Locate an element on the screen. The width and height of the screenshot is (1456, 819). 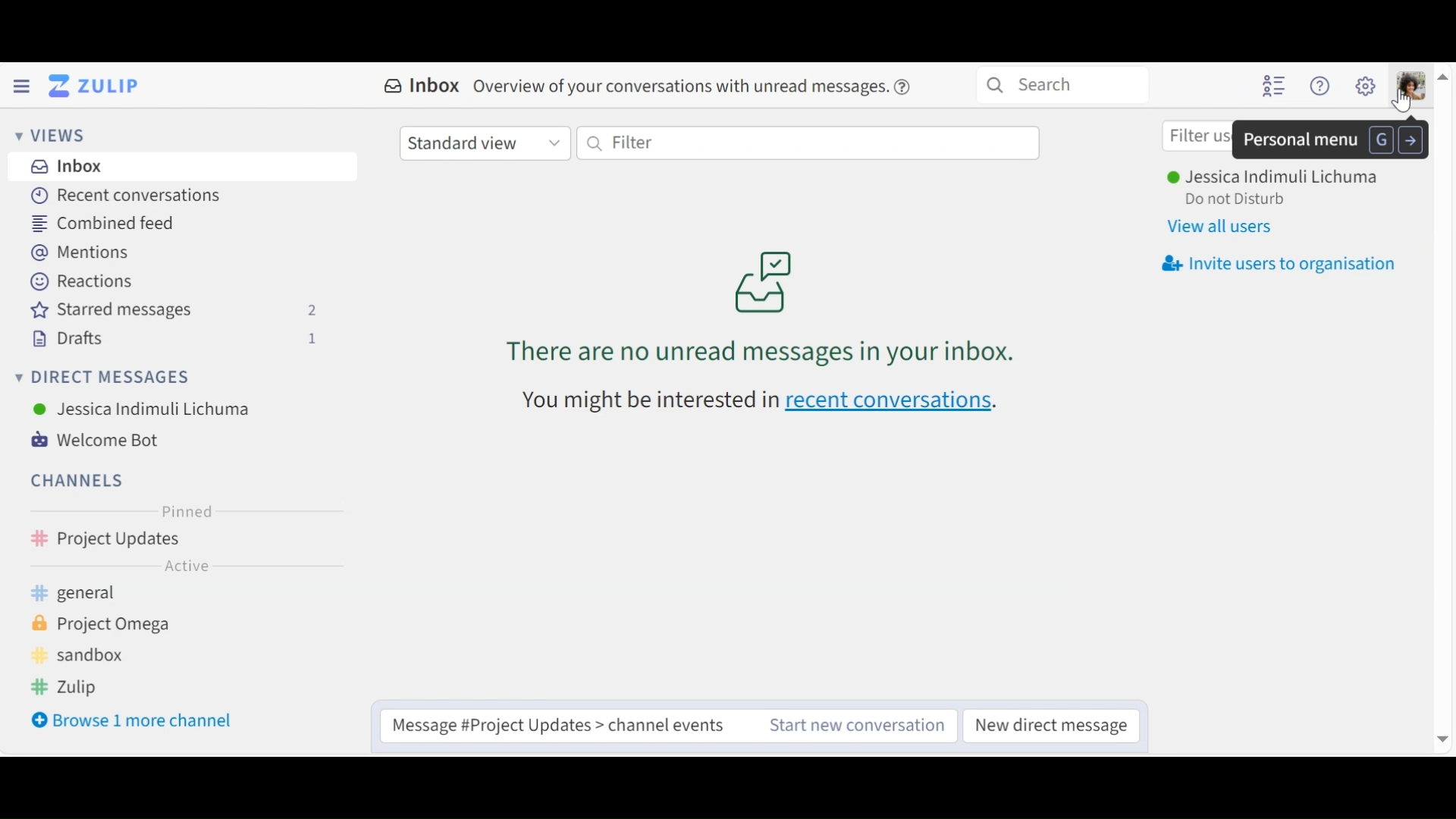
Mentions is located at coordinates (83, 253).